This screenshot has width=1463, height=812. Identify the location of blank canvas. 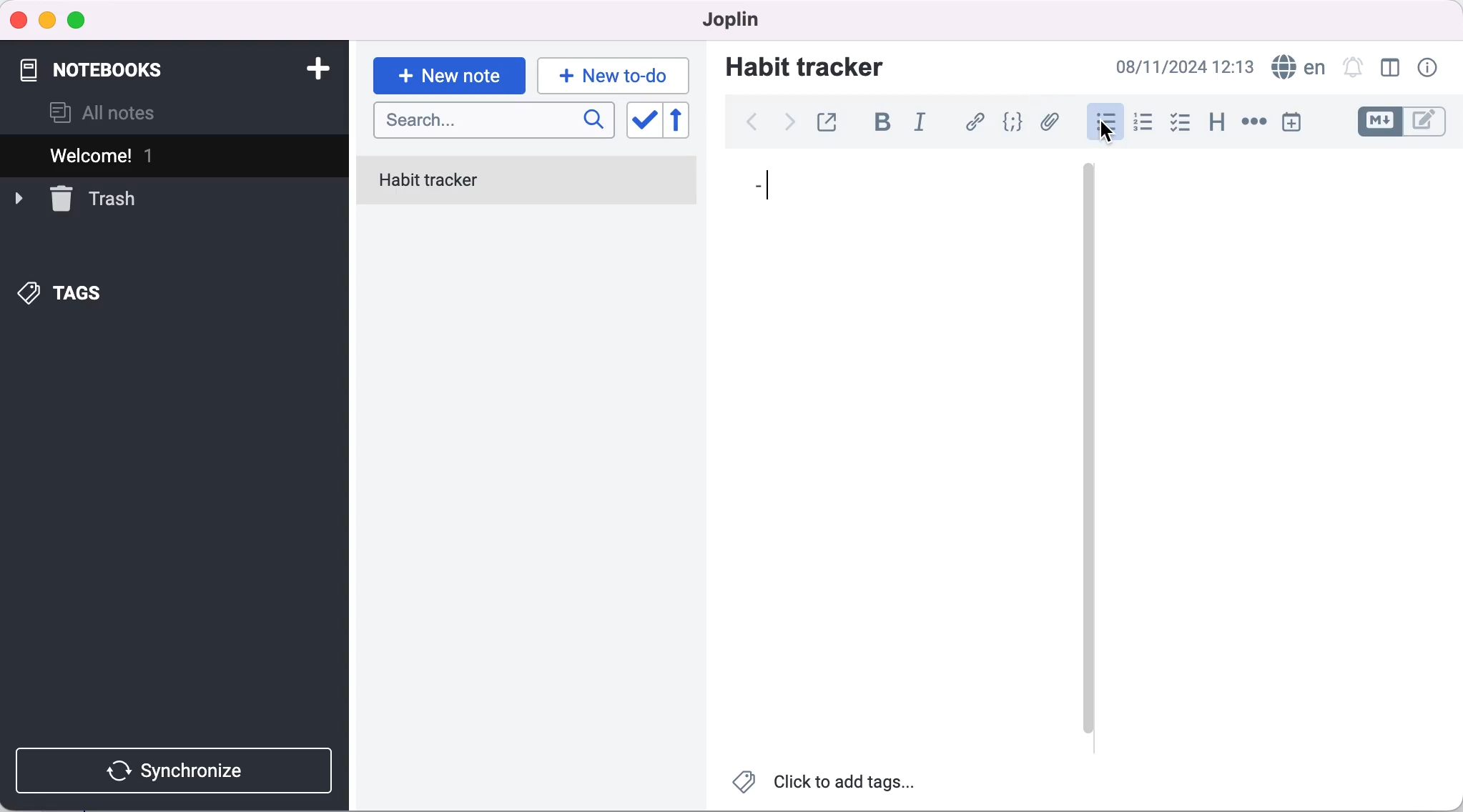
(1277, 448).